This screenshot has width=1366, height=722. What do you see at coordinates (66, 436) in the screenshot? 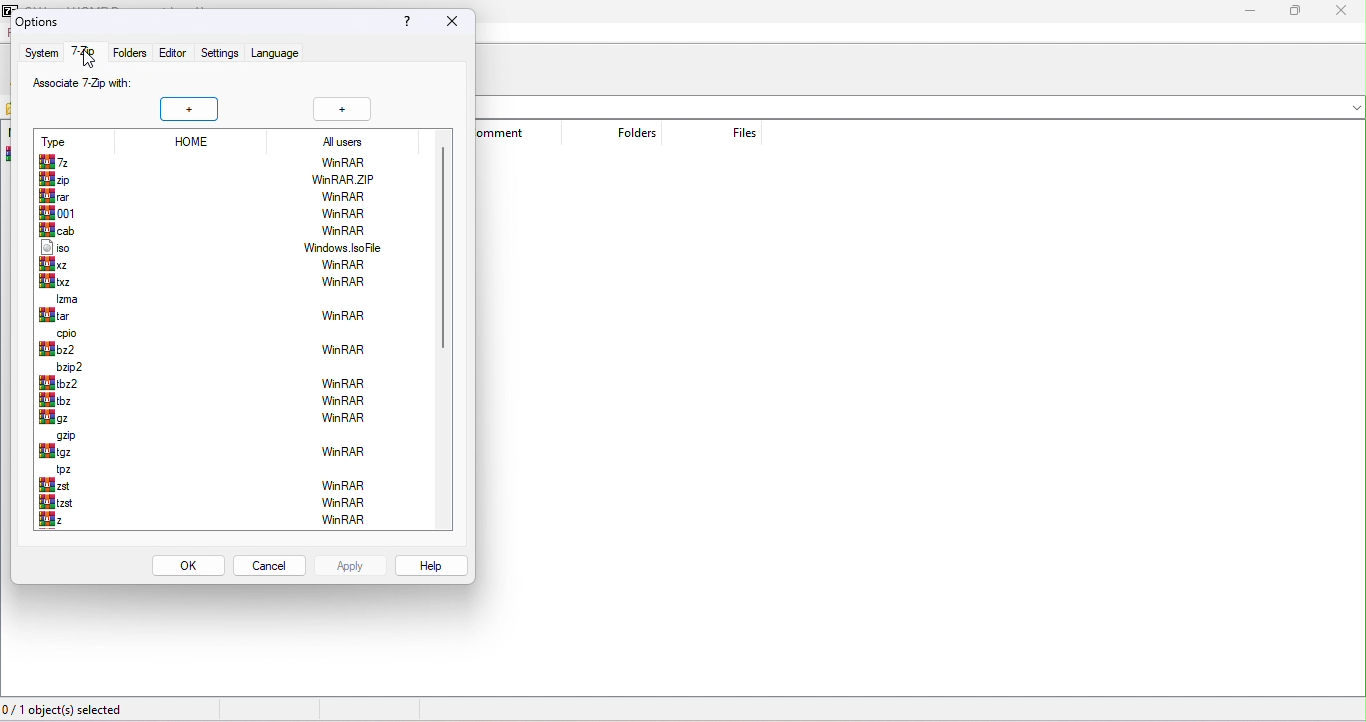
I see `gzip` at bounding box center [66, 436].